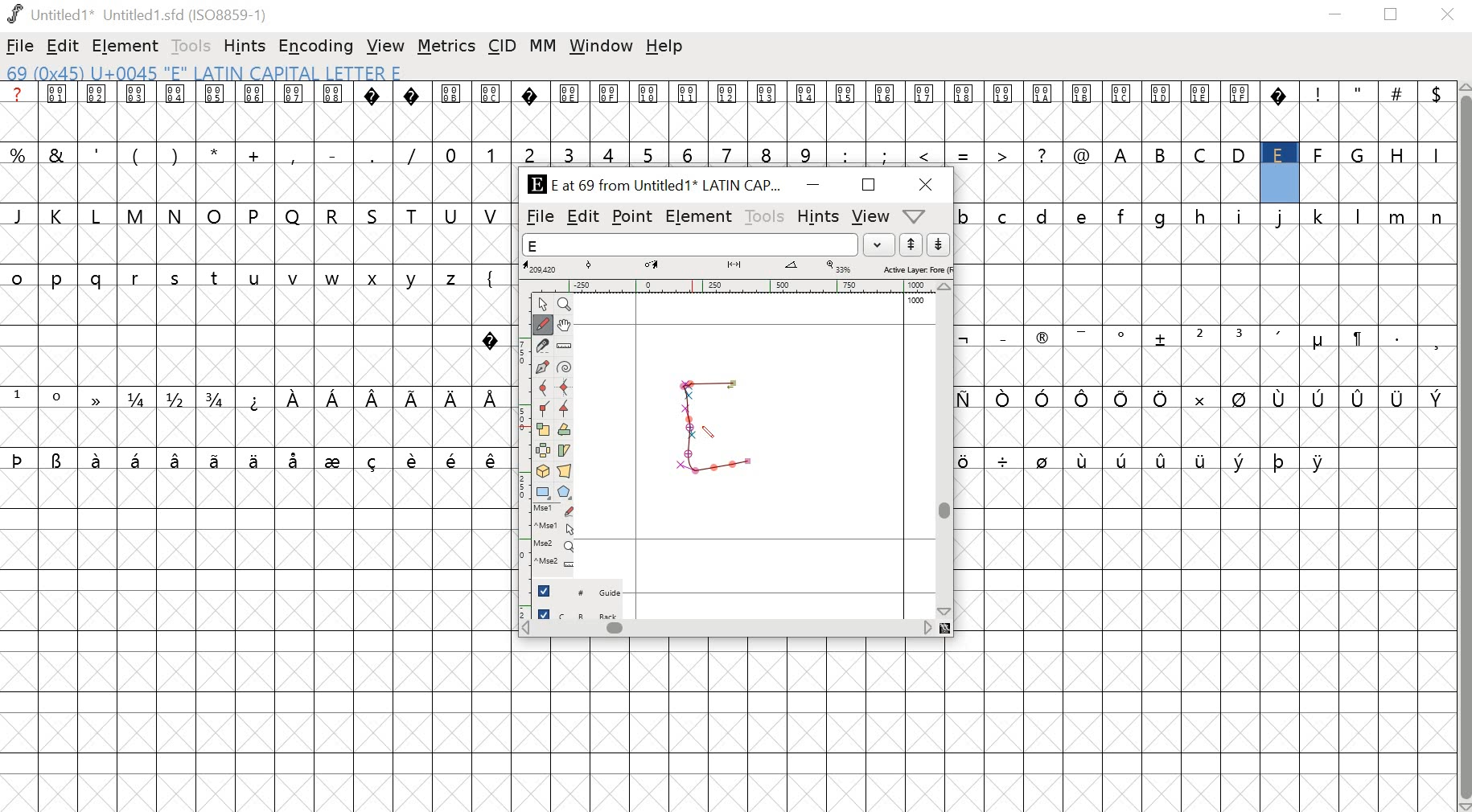 The image size is (1472, 812). Describe the element at coordinates (519, 453) in the screenshot. I see `ruler` at that location.